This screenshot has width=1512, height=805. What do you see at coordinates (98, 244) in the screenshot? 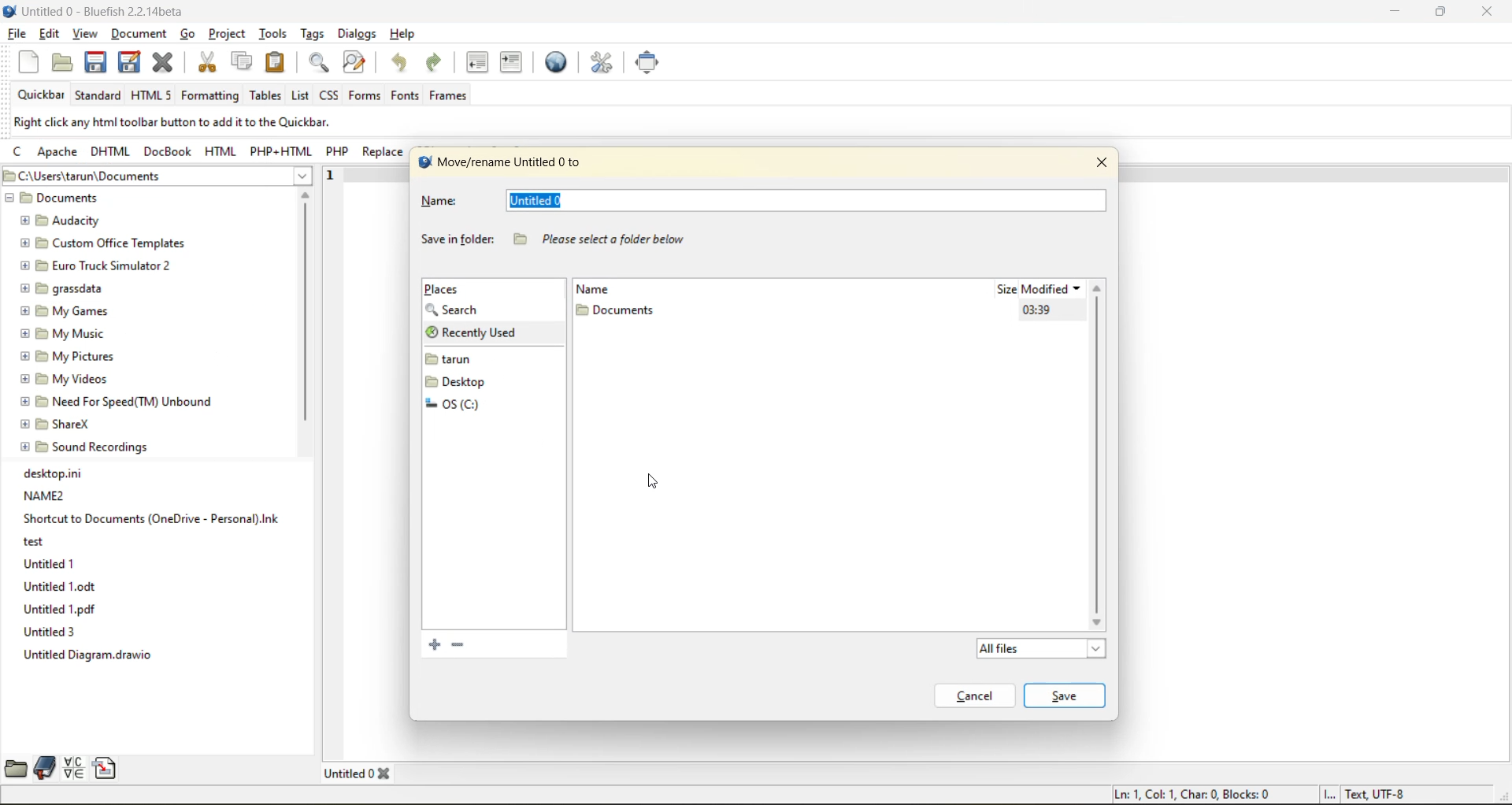
I see `Custom Office Templates` at bounding box center [98, 244].